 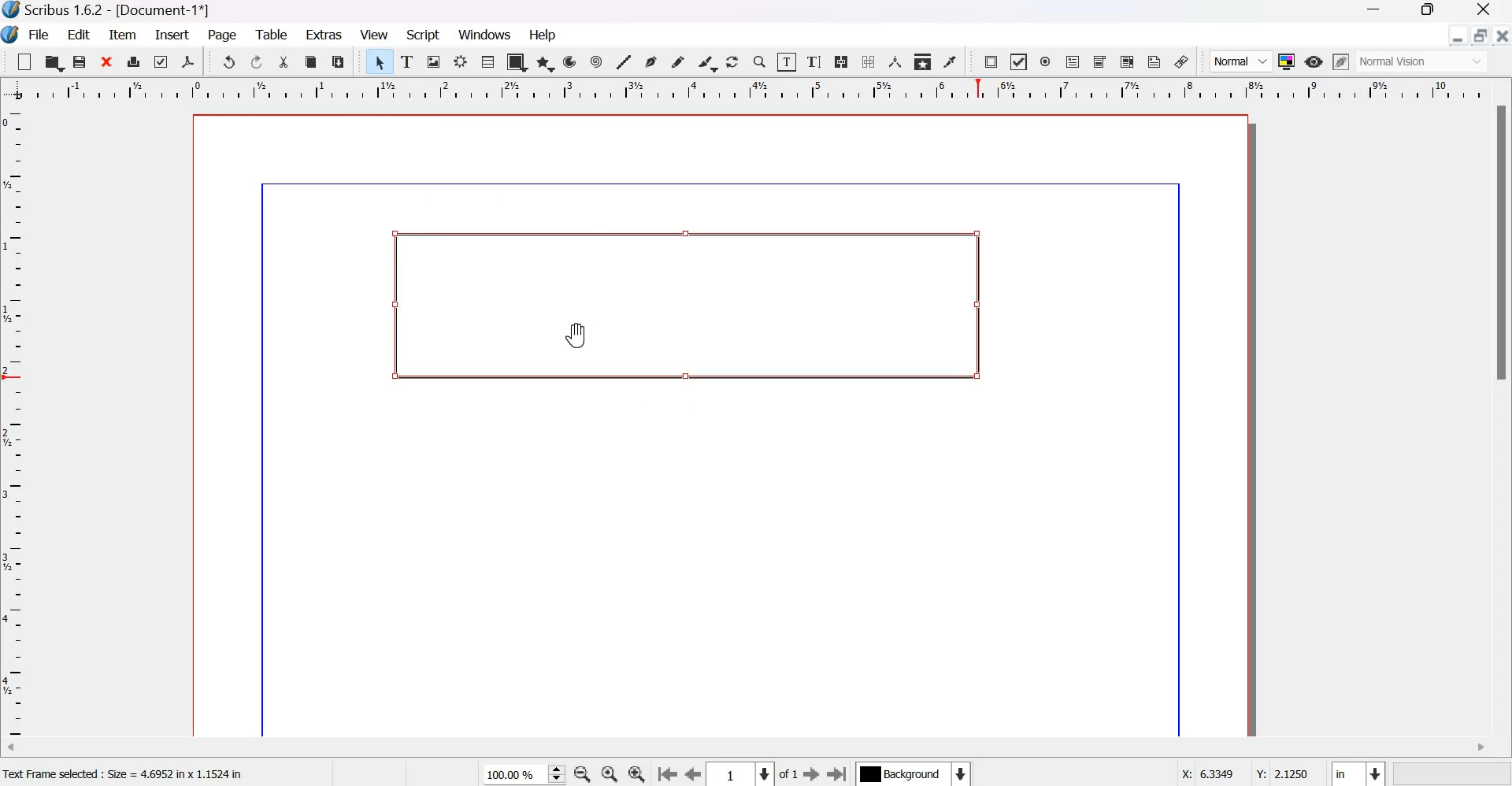 I want to click on Minimize, so click(x=1374, y=11).